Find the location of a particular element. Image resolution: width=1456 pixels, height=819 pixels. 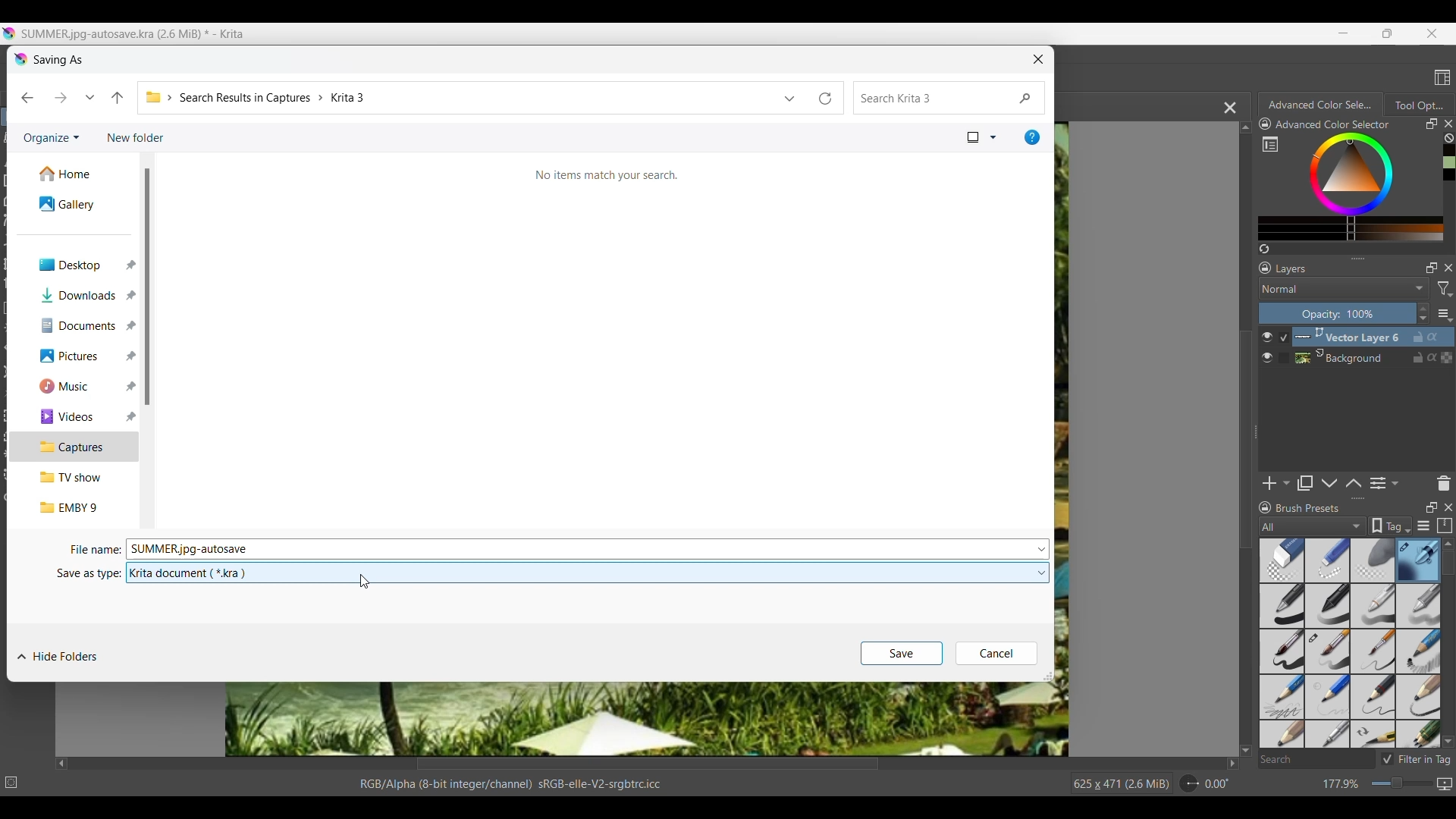

Dial to change rotation is located at coordinates (1190, 784).